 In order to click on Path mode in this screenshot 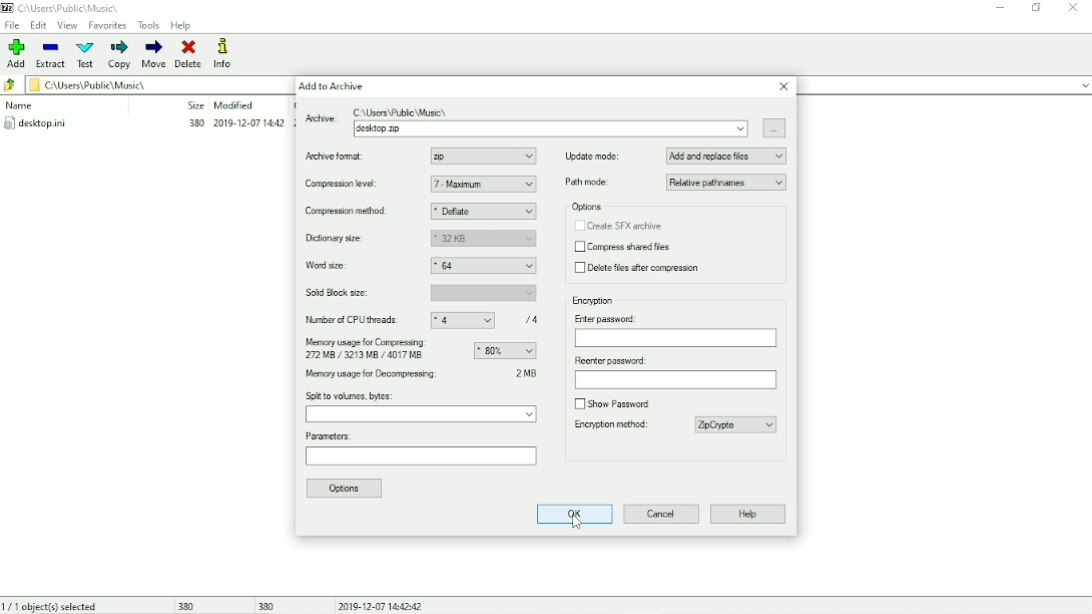, I will do `click(675, 183)`.